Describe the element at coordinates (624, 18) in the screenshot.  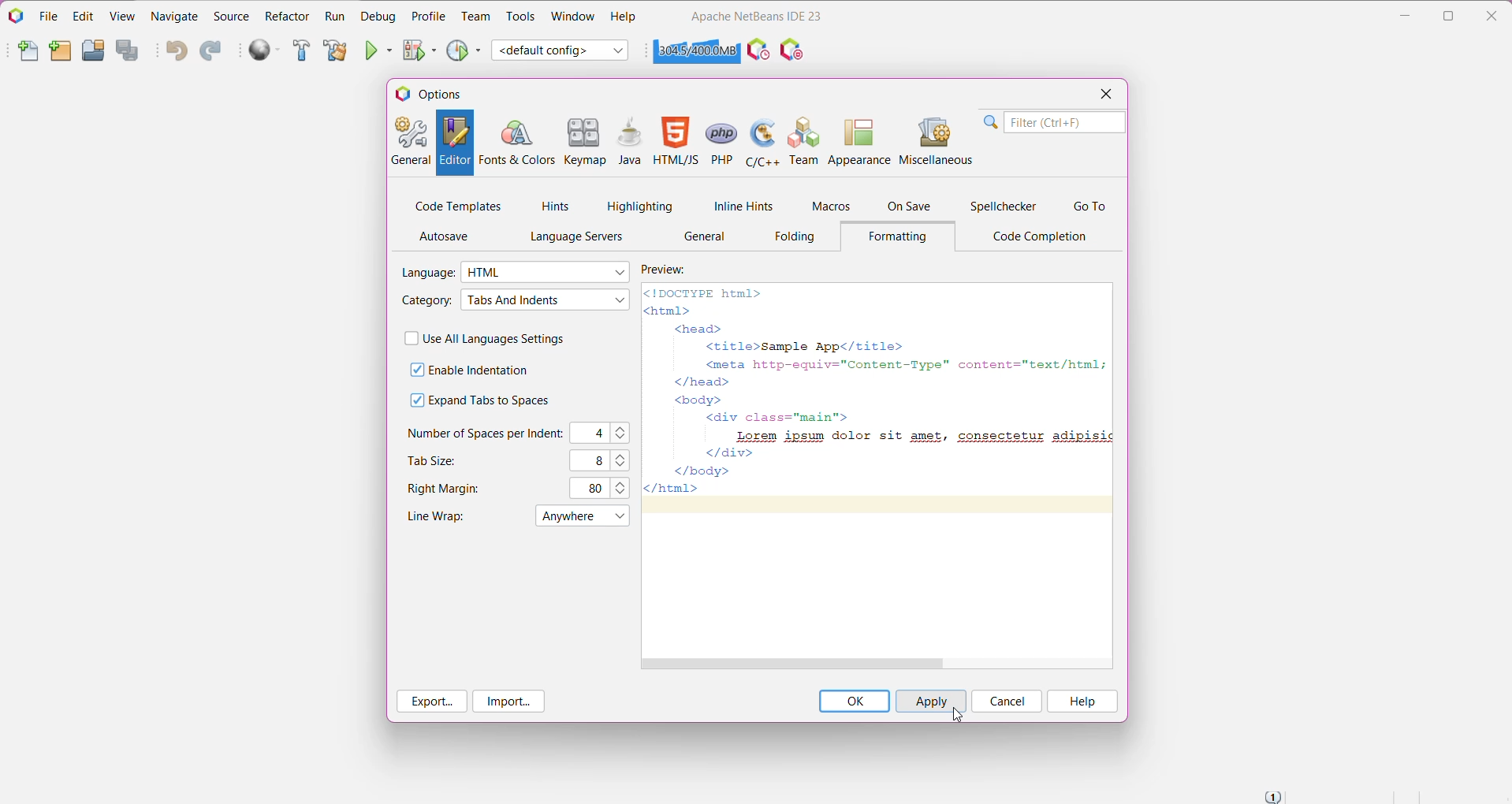
I see `Help` at that location.